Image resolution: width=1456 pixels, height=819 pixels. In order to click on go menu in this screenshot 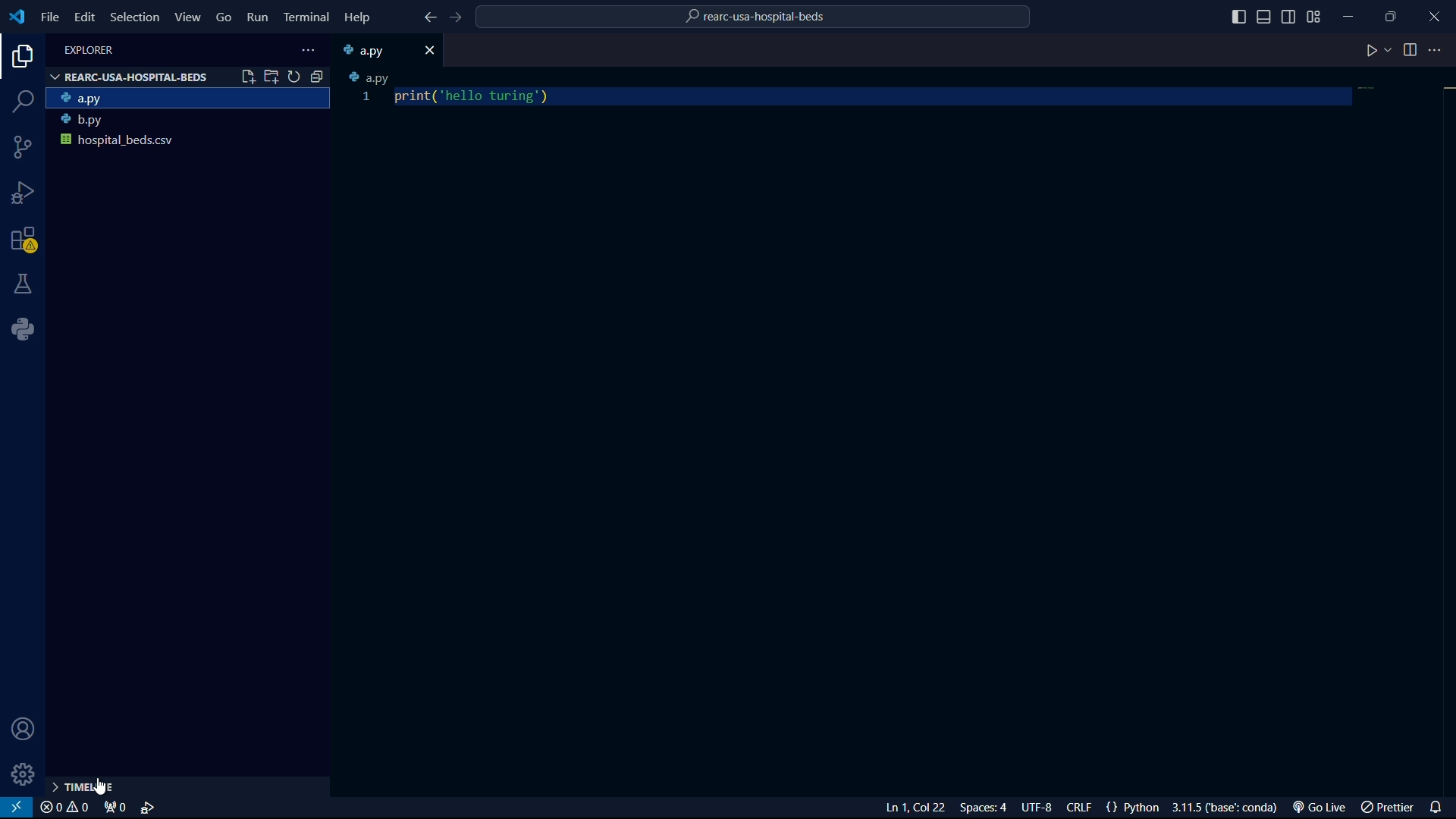, I will do `click(224, 17)`.